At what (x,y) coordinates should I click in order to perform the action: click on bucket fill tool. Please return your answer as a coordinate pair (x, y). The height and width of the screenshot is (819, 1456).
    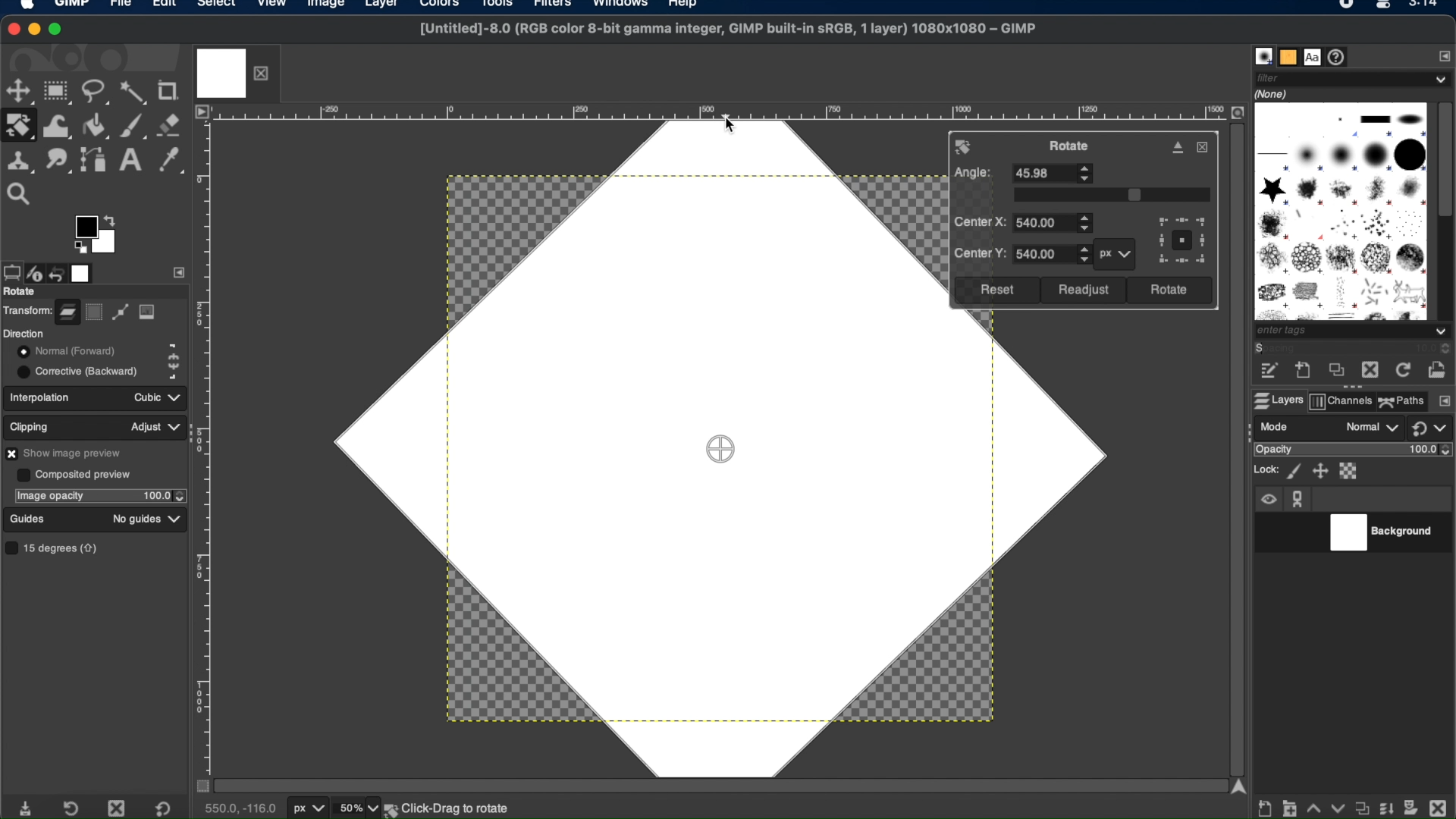
    Looking at the image, I should click on (96, 125).